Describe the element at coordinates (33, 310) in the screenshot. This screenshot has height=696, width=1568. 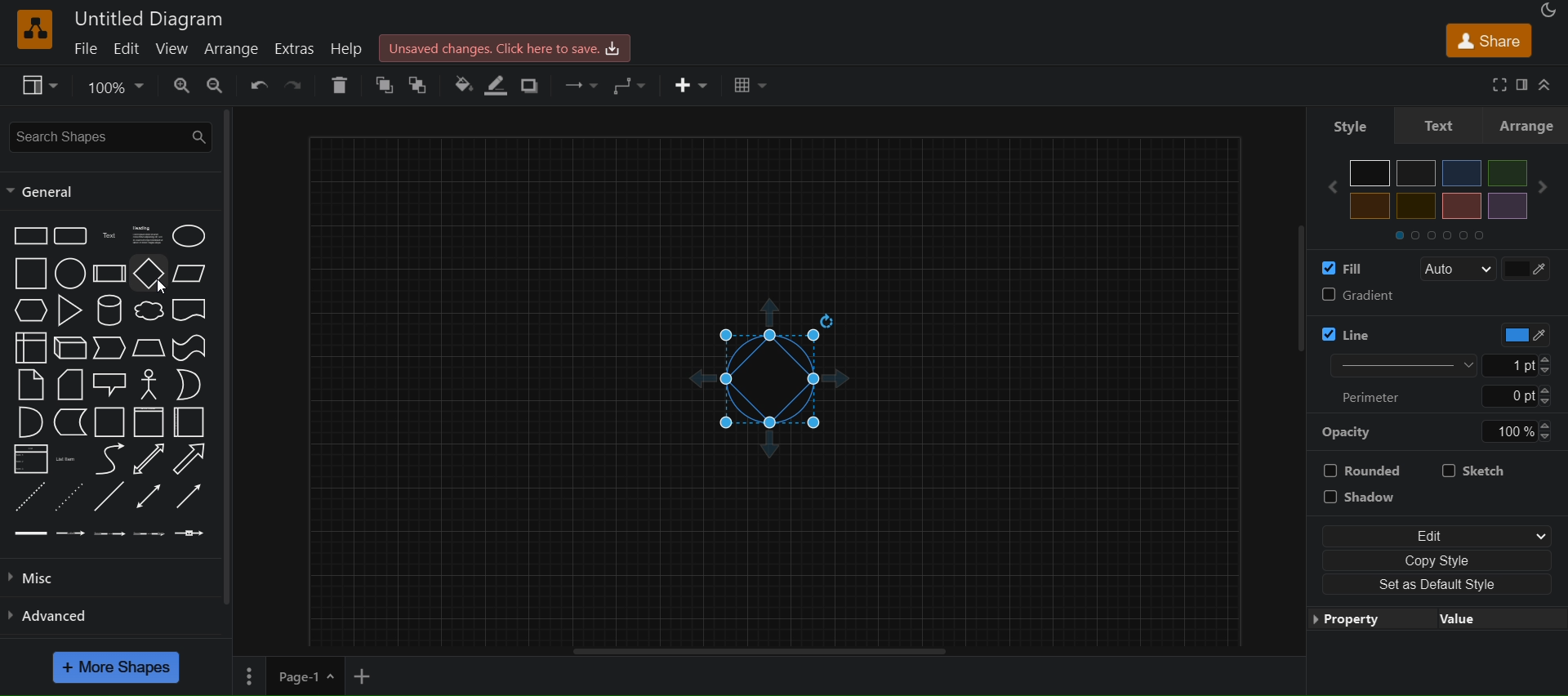
I see `hexagon` at that location.